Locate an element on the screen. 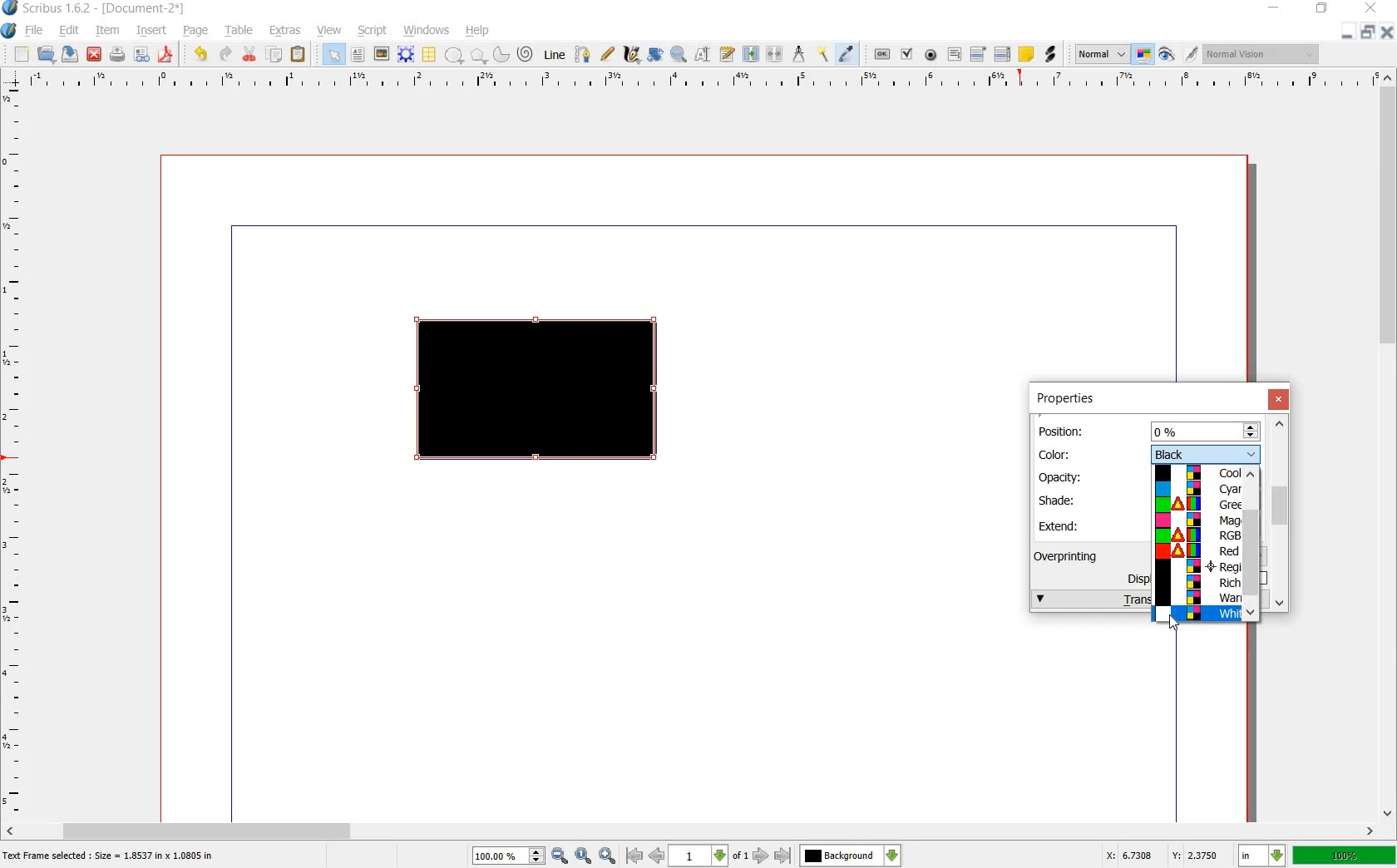  visual appearance of the display is located at coordinates (1264, 53).